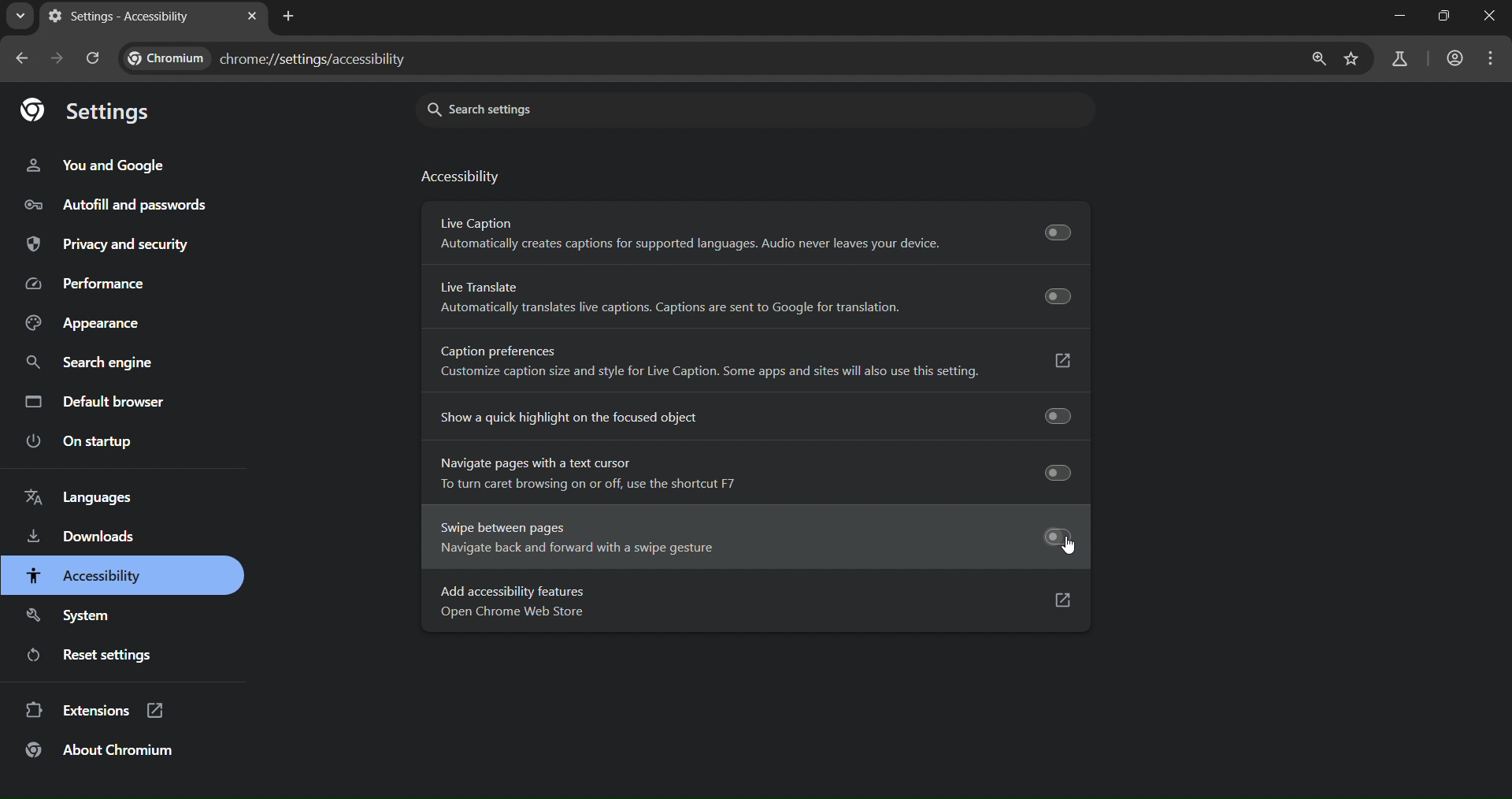 Image resolution: width=1512 pixels, height=799 pixels. I want to click on Caption preferences
Customize caption size and style for Live Caption. Some apps and sites will also use this setting., so click(756, 359).